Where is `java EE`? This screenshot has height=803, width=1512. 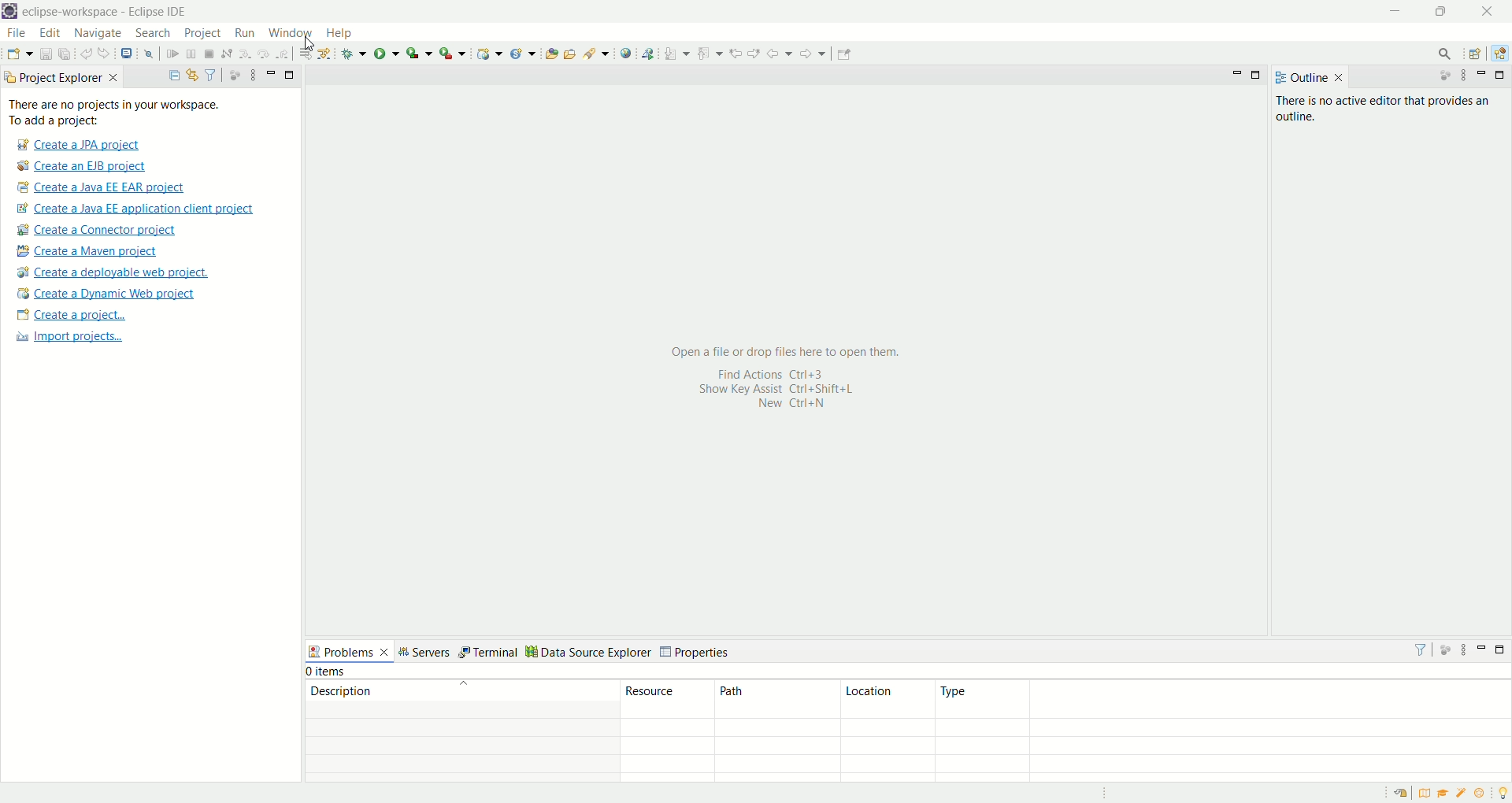
java EE is located at coordinates (1499, 50).